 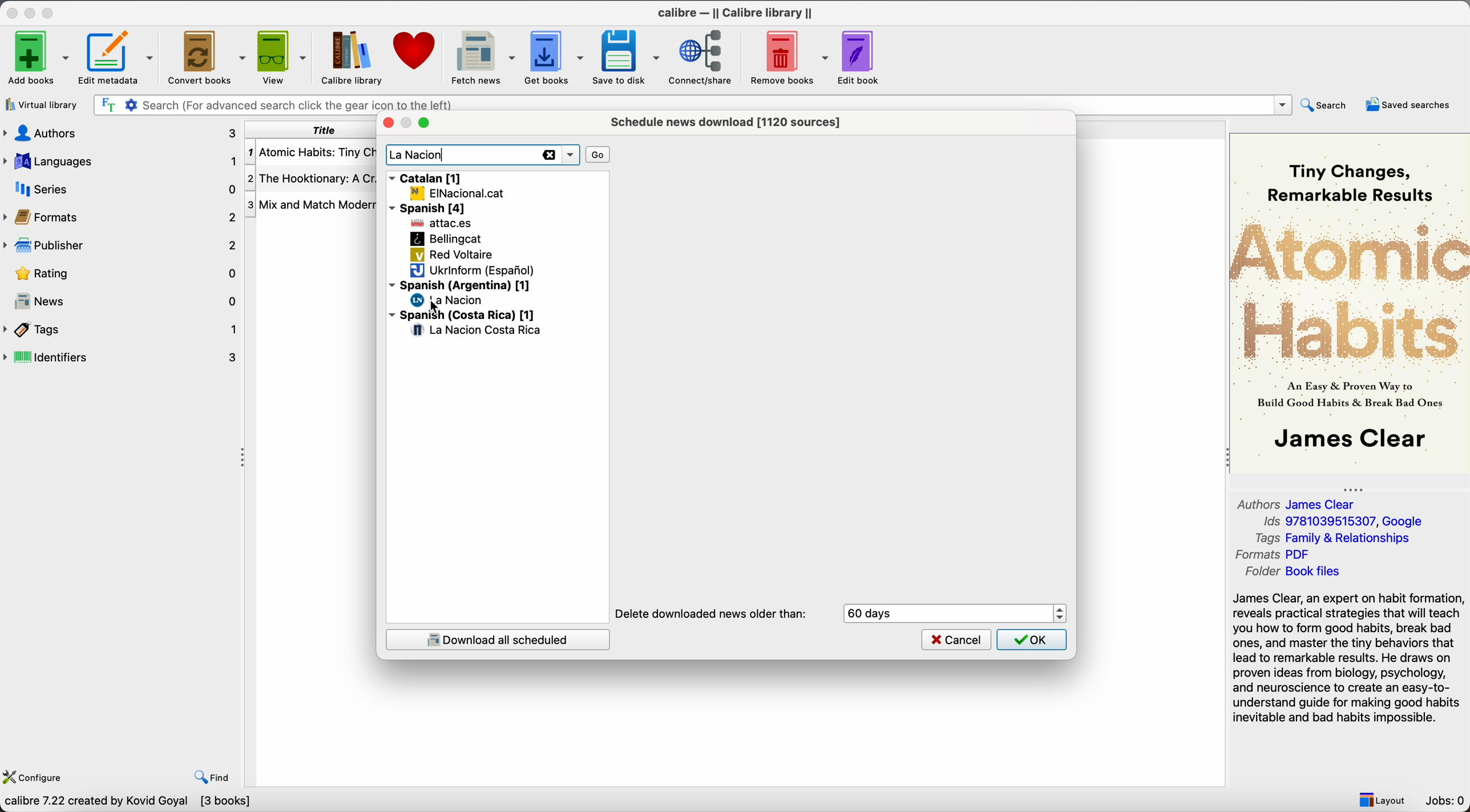 I want to click on connect/share, so click(x=704, y=56).